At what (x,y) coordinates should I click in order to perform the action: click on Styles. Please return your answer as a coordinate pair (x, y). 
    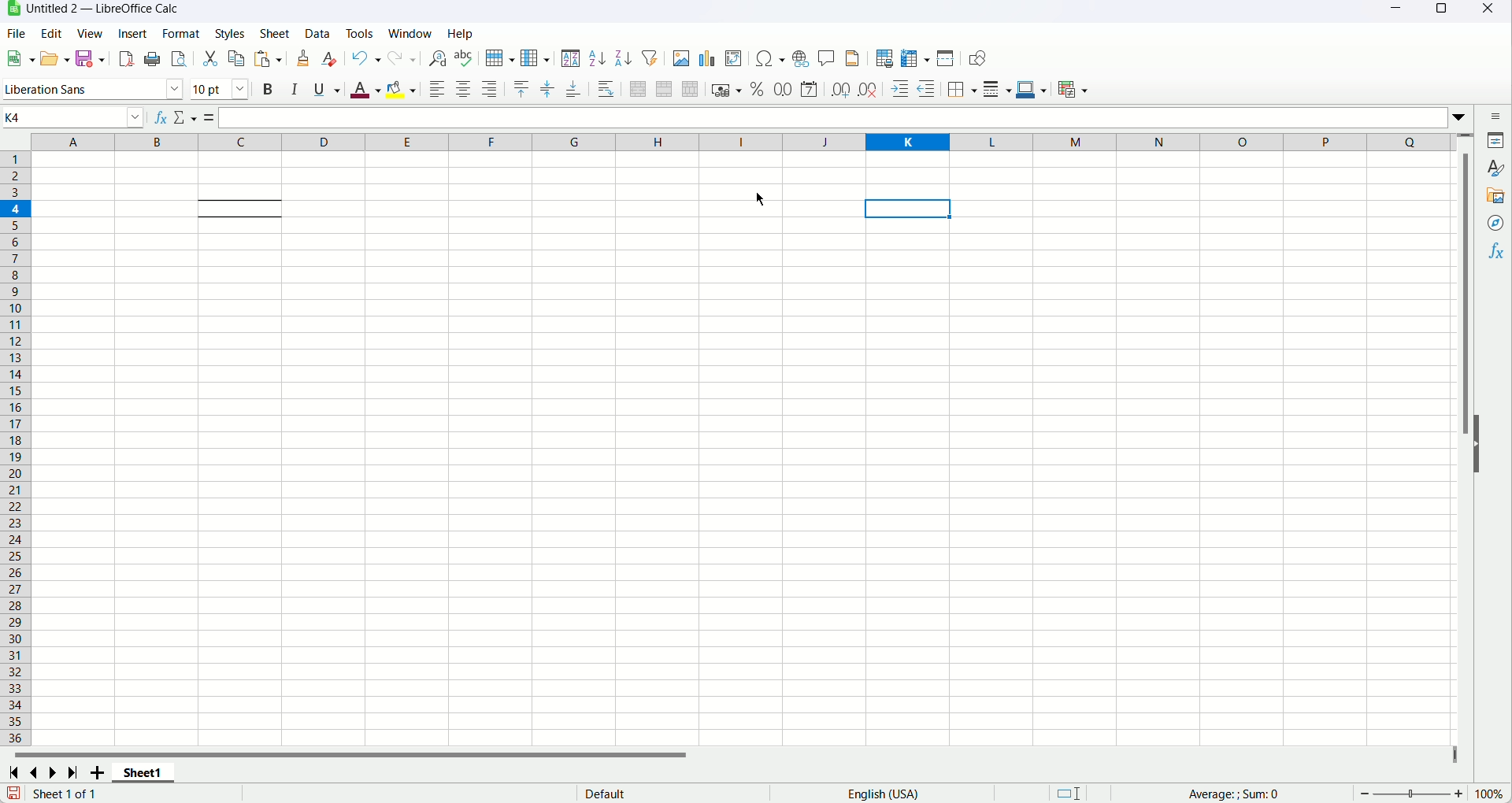
    Looking at the image, I should click on (228, 33).